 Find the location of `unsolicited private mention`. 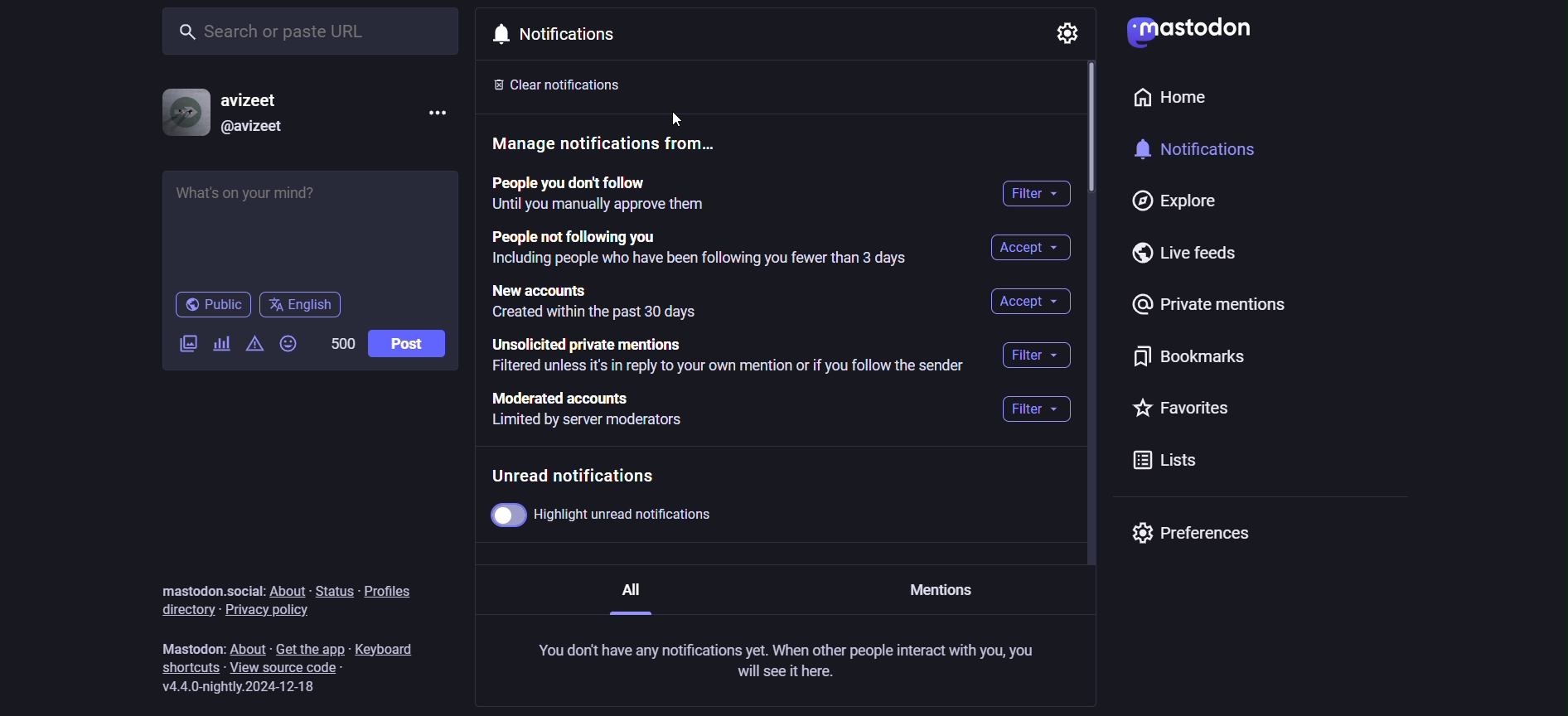

unsolicited private mention is located at coordinates (732, 357).